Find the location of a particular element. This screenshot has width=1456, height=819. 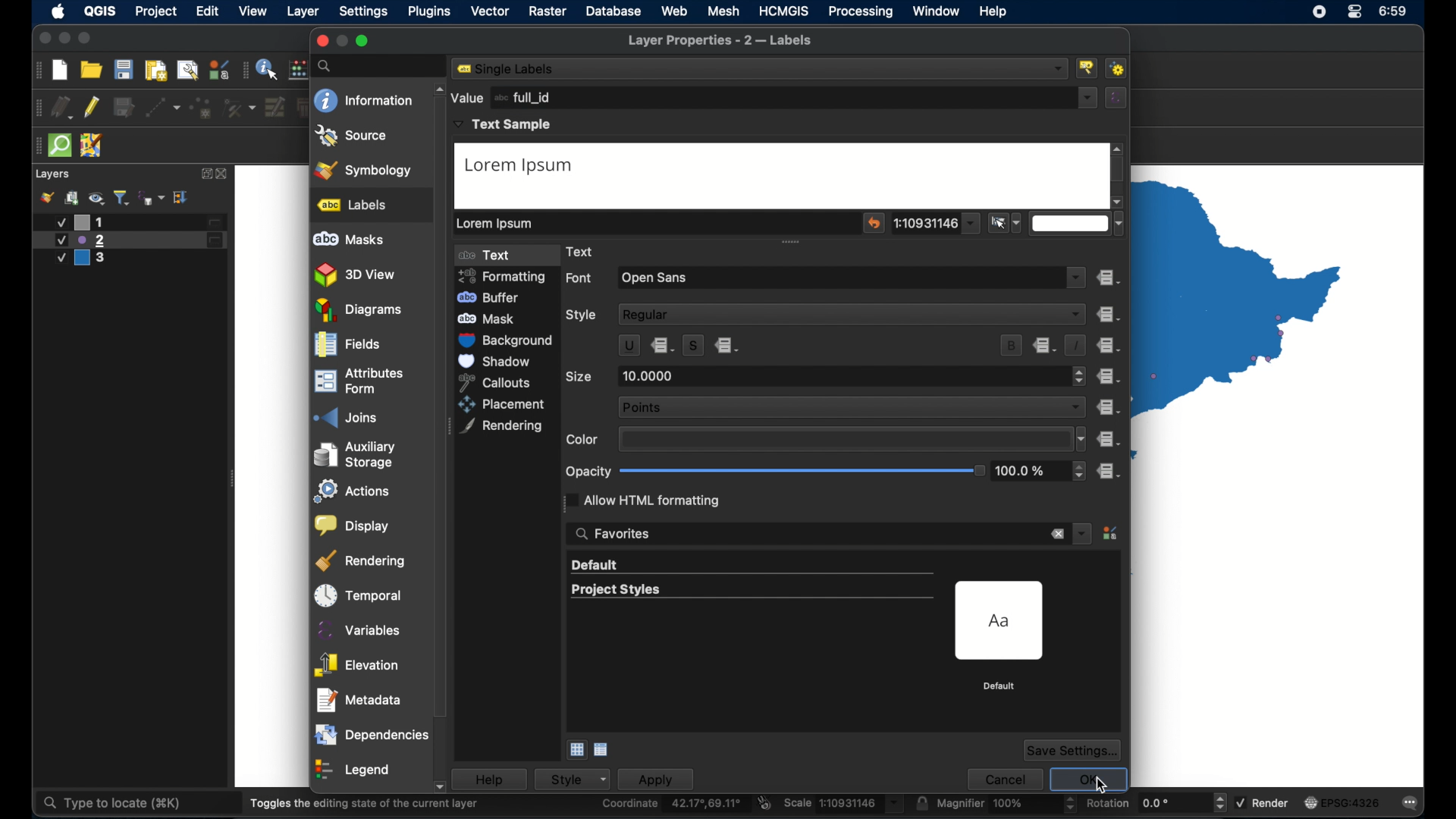

help is located at coordinates (994, 11).